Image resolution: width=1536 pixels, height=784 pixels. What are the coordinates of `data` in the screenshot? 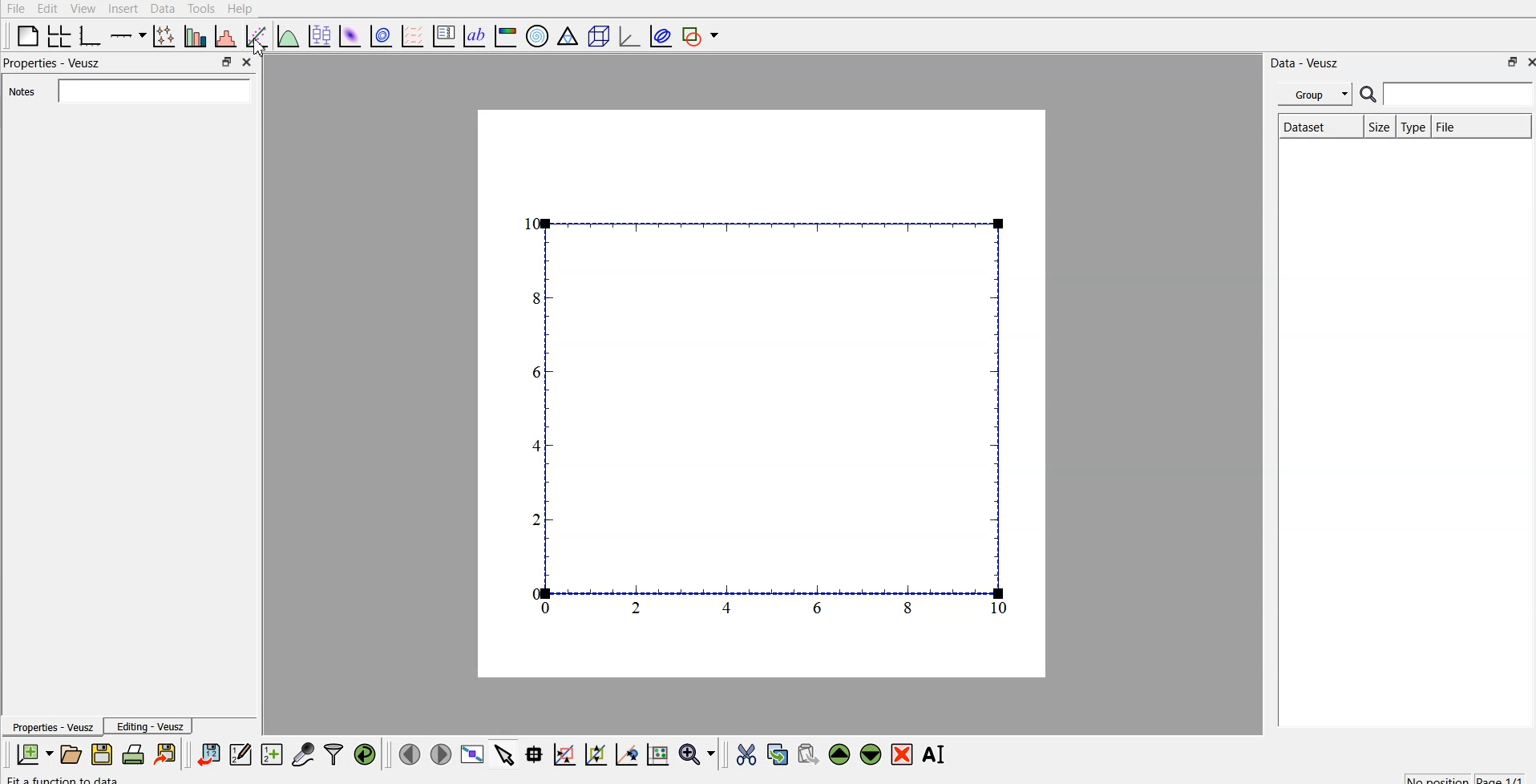 It's located at (162, 8).